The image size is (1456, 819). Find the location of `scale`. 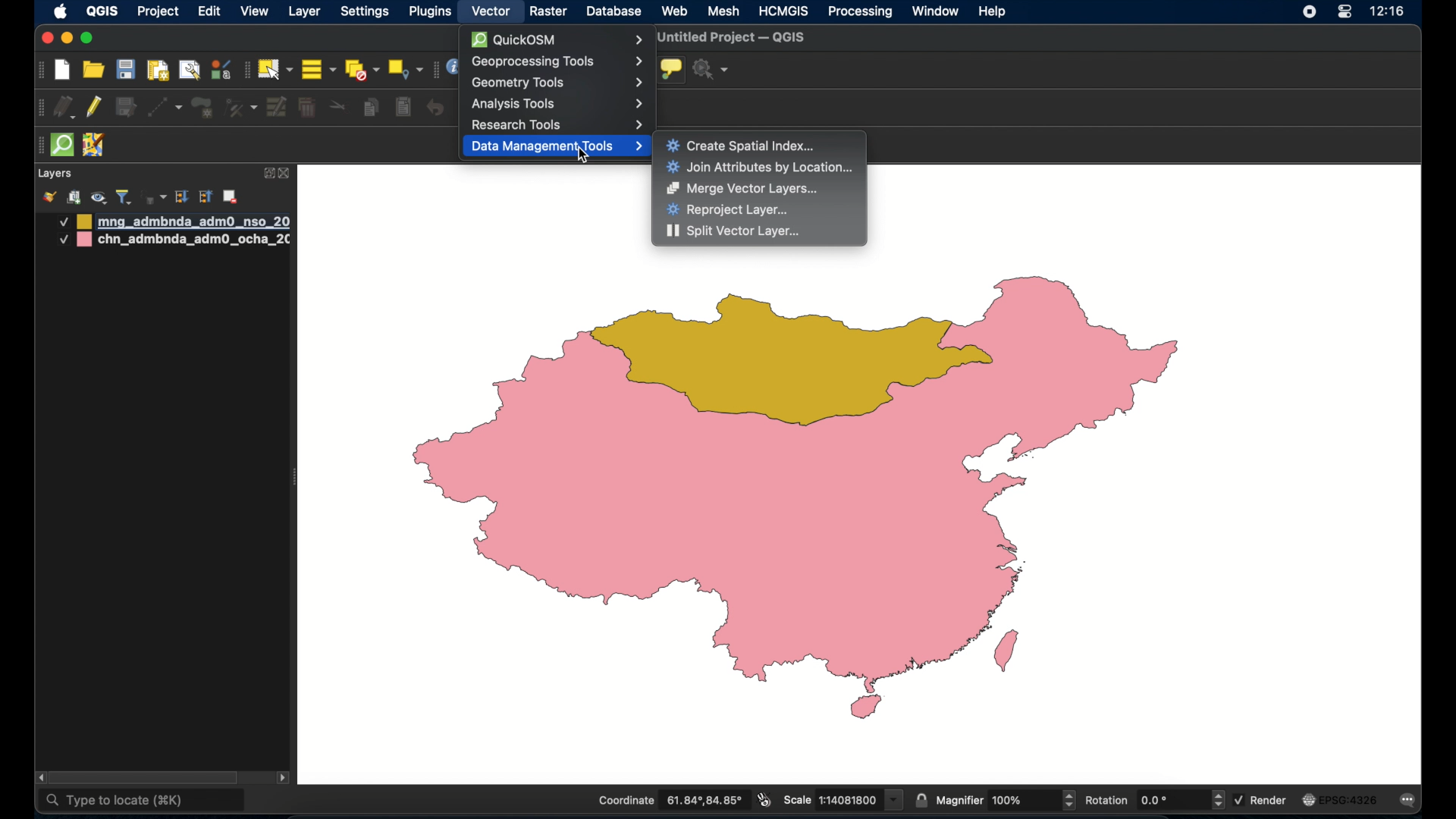

scale is located at coordinates (842, 799).